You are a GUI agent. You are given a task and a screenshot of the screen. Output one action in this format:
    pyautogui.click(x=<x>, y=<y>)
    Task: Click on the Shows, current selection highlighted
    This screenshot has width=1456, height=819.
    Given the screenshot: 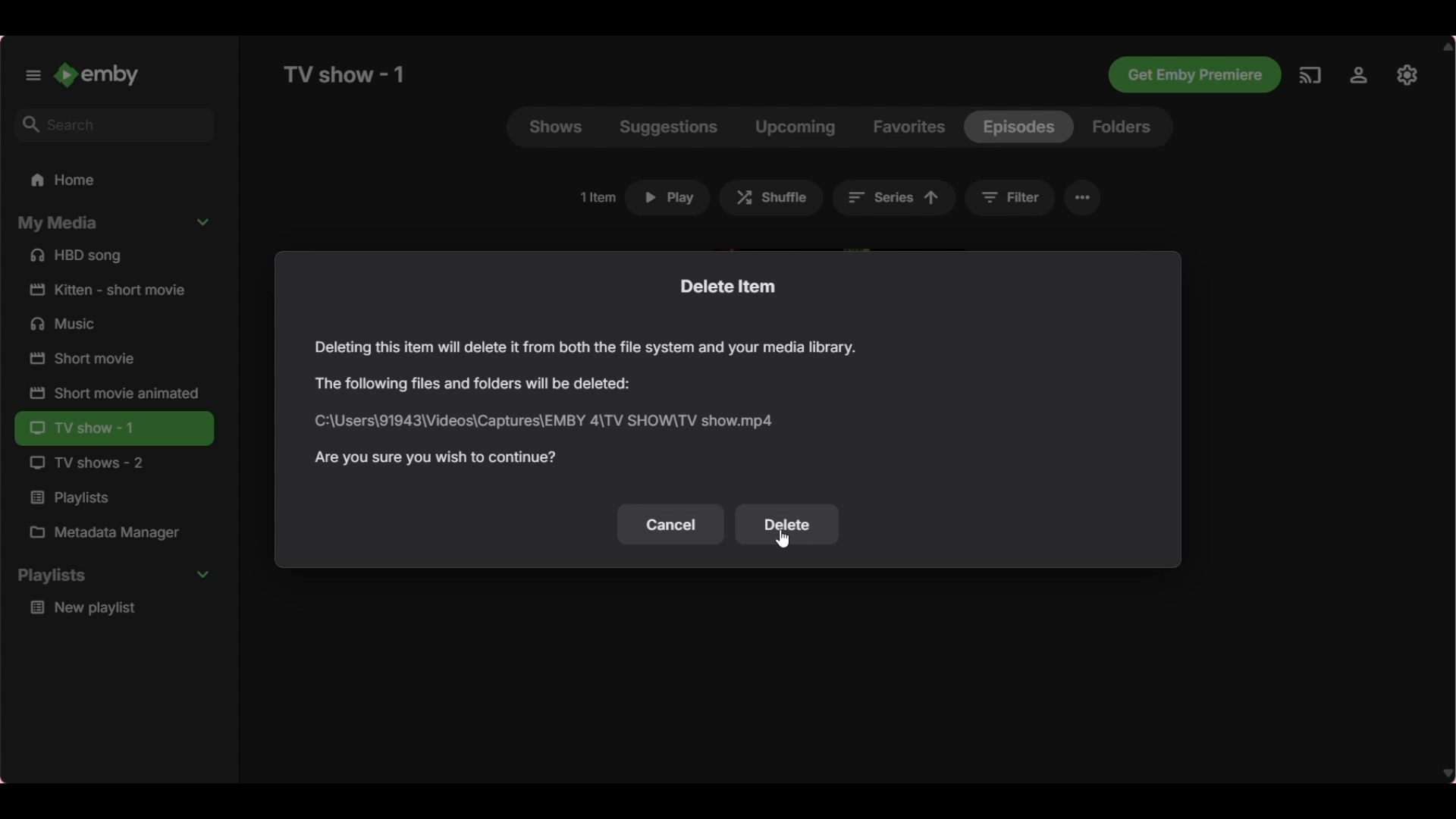 What is the action you would take?
    pyautogui.click(x=557, y=127)
    